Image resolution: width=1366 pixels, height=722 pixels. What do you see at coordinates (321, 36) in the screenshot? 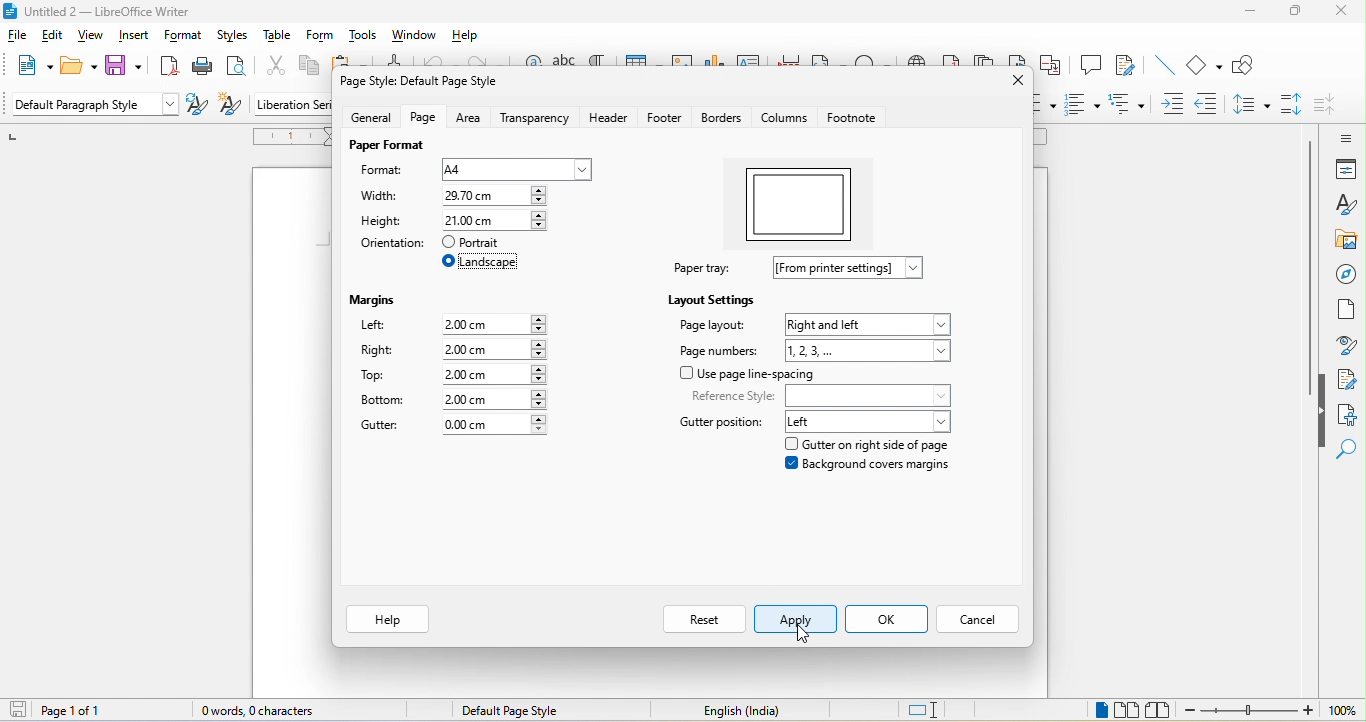
I see `form` at bounding box center [321, 36].